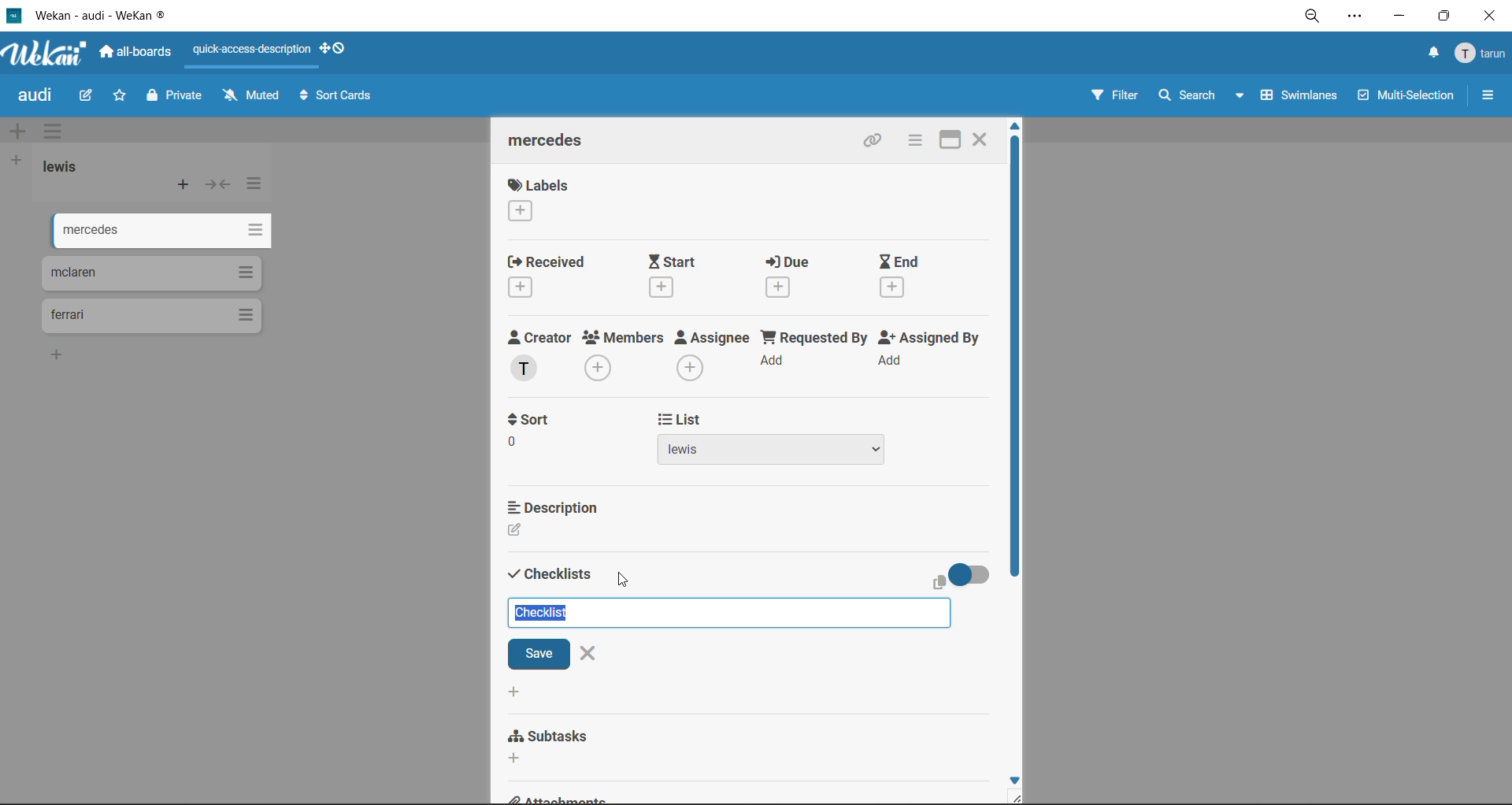 The width and height of the screenshot is (1512, 805). Describe the element at coordinates (1488, 17) in the screenshot. I see `close` at that location.